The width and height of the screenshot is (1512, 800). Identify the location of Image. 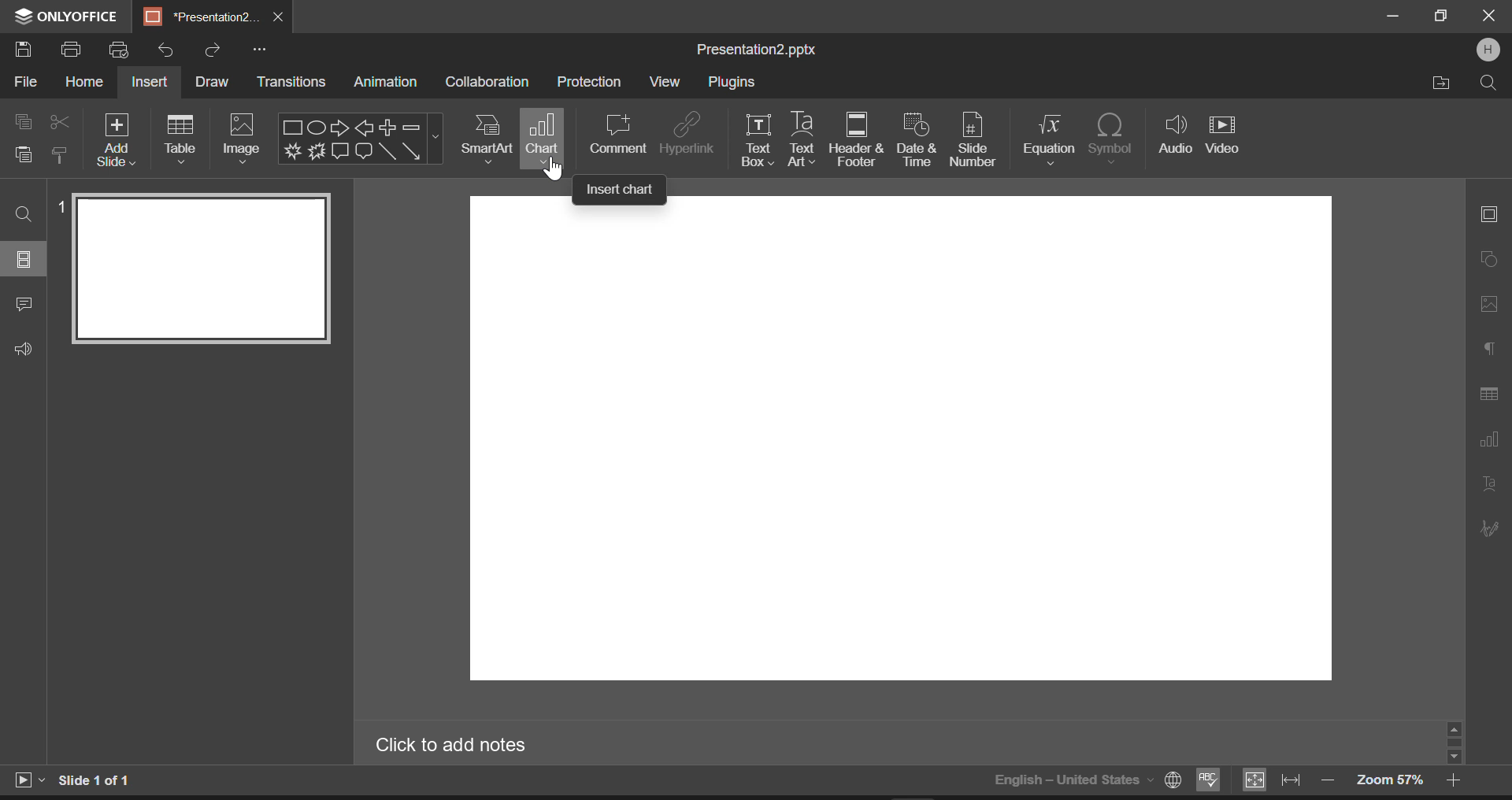
(242, 137).